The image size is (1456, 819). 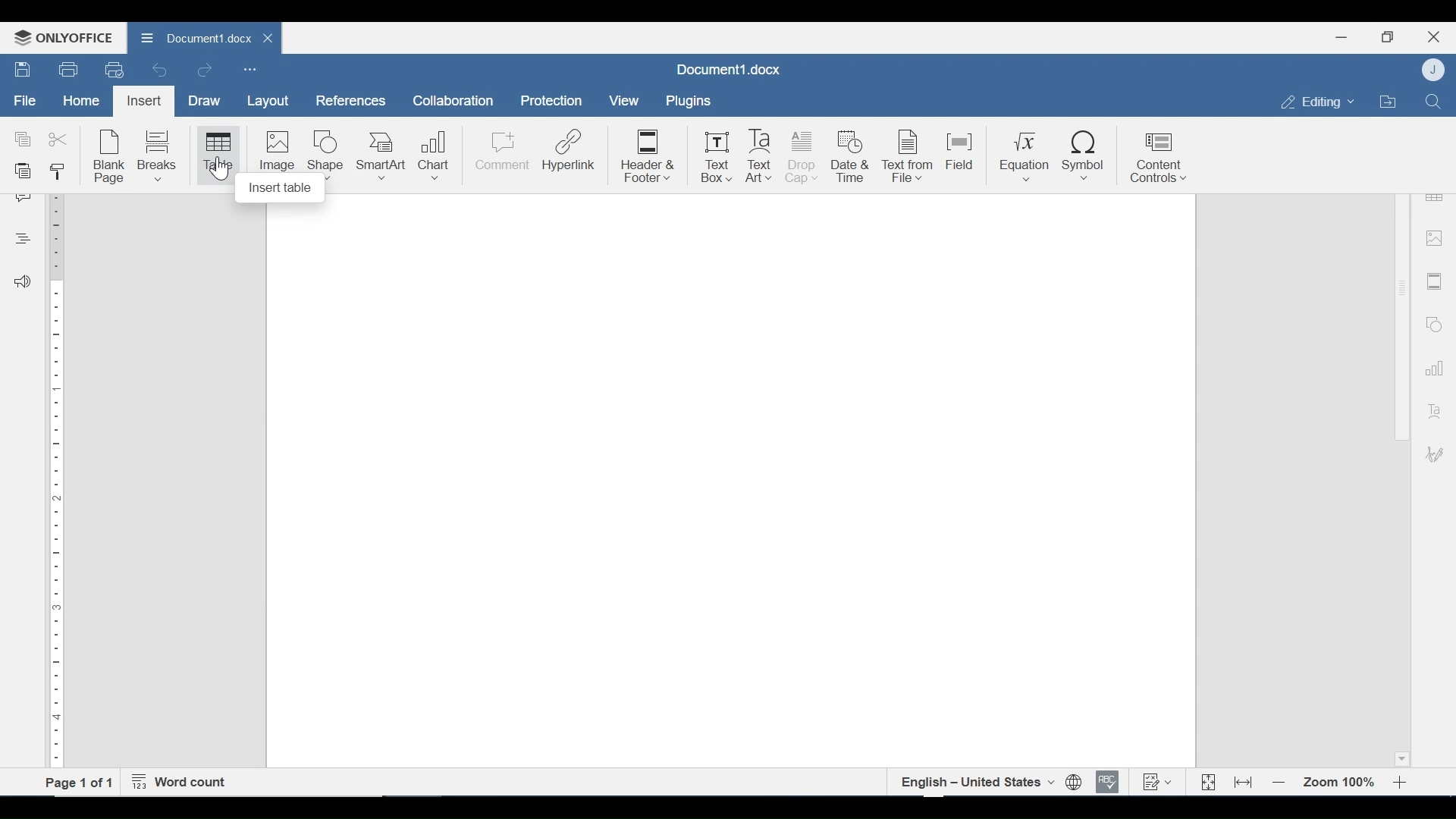 What do you see at coordinates (60, 140) in the screenshot?
I see `Cut` at bounding box center [60, 140].